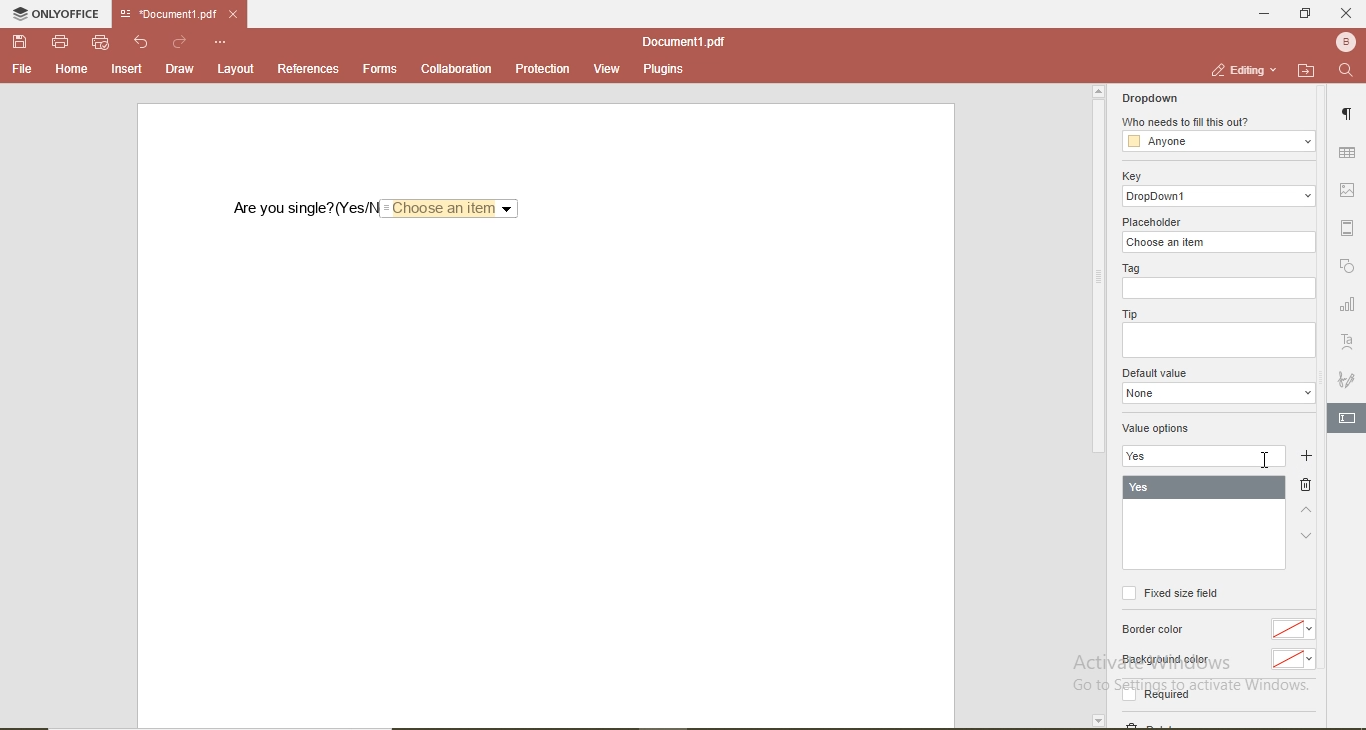  Describe the element at coordinates (180, 43) in the screenshot. I see `redo` at that location.